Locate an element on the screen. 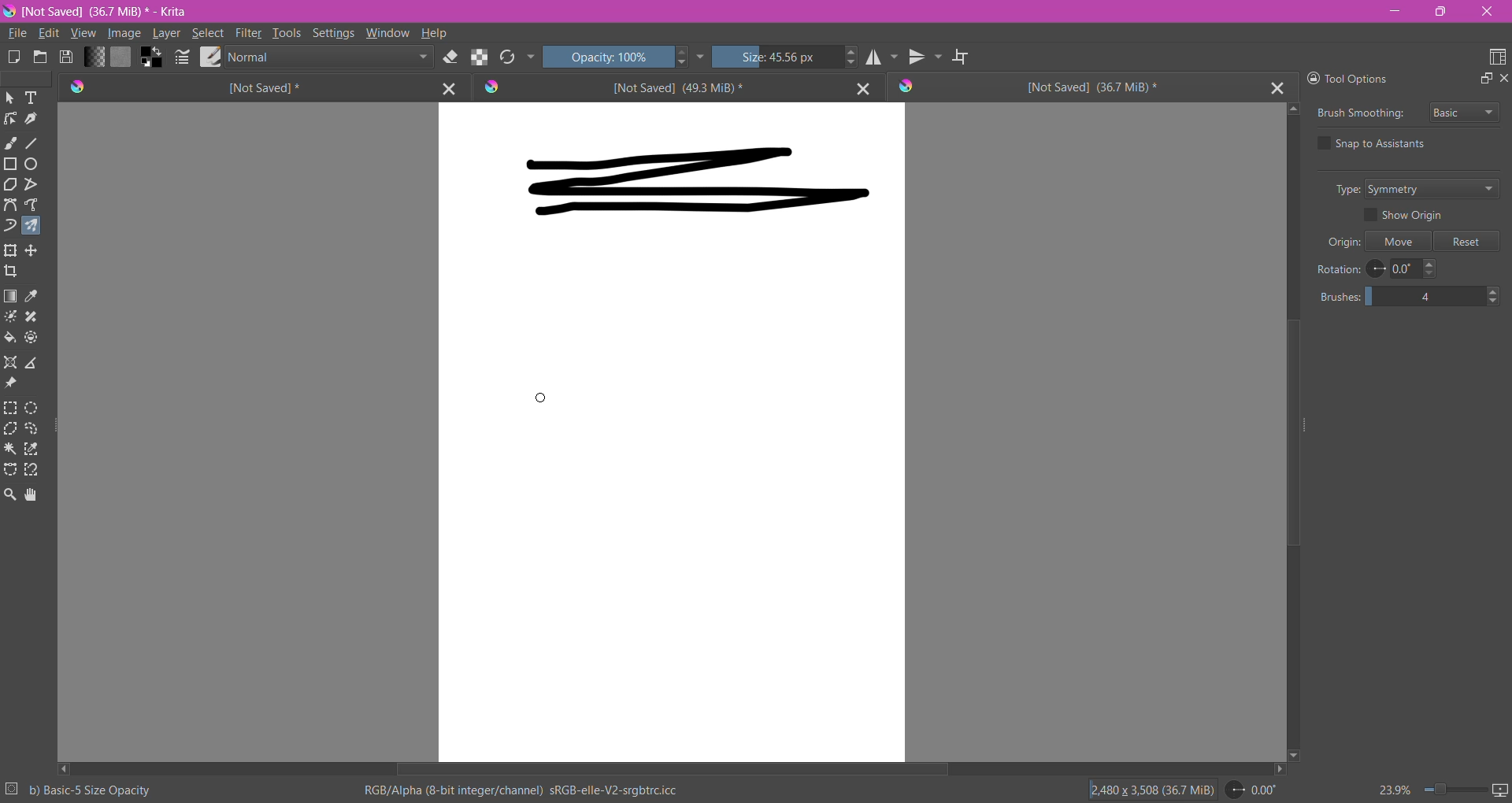 The image size is (1512, 803). Fill Patterns is located at coordinates (122, 57).